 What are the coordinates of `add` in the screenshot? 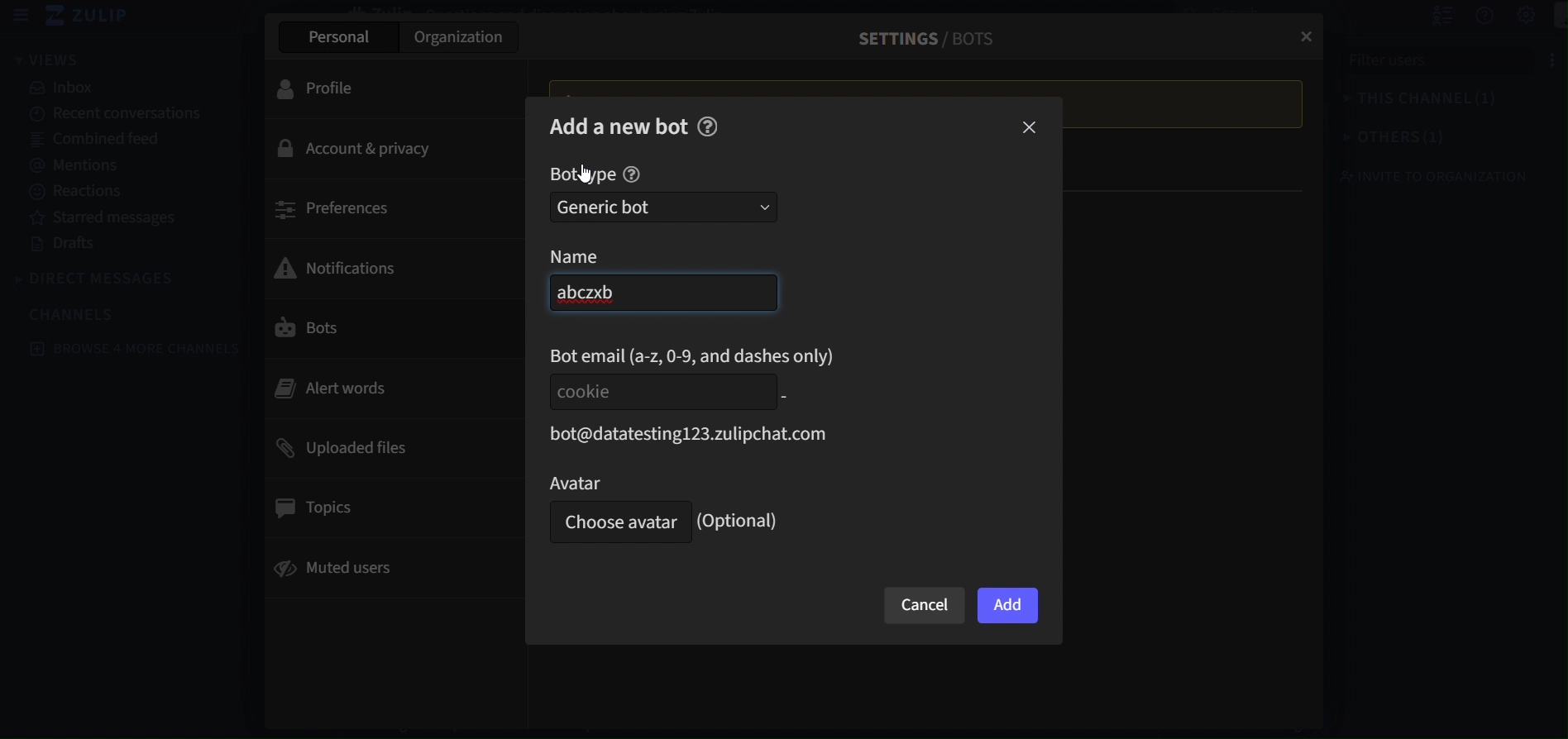 It's located at (1008, 607).